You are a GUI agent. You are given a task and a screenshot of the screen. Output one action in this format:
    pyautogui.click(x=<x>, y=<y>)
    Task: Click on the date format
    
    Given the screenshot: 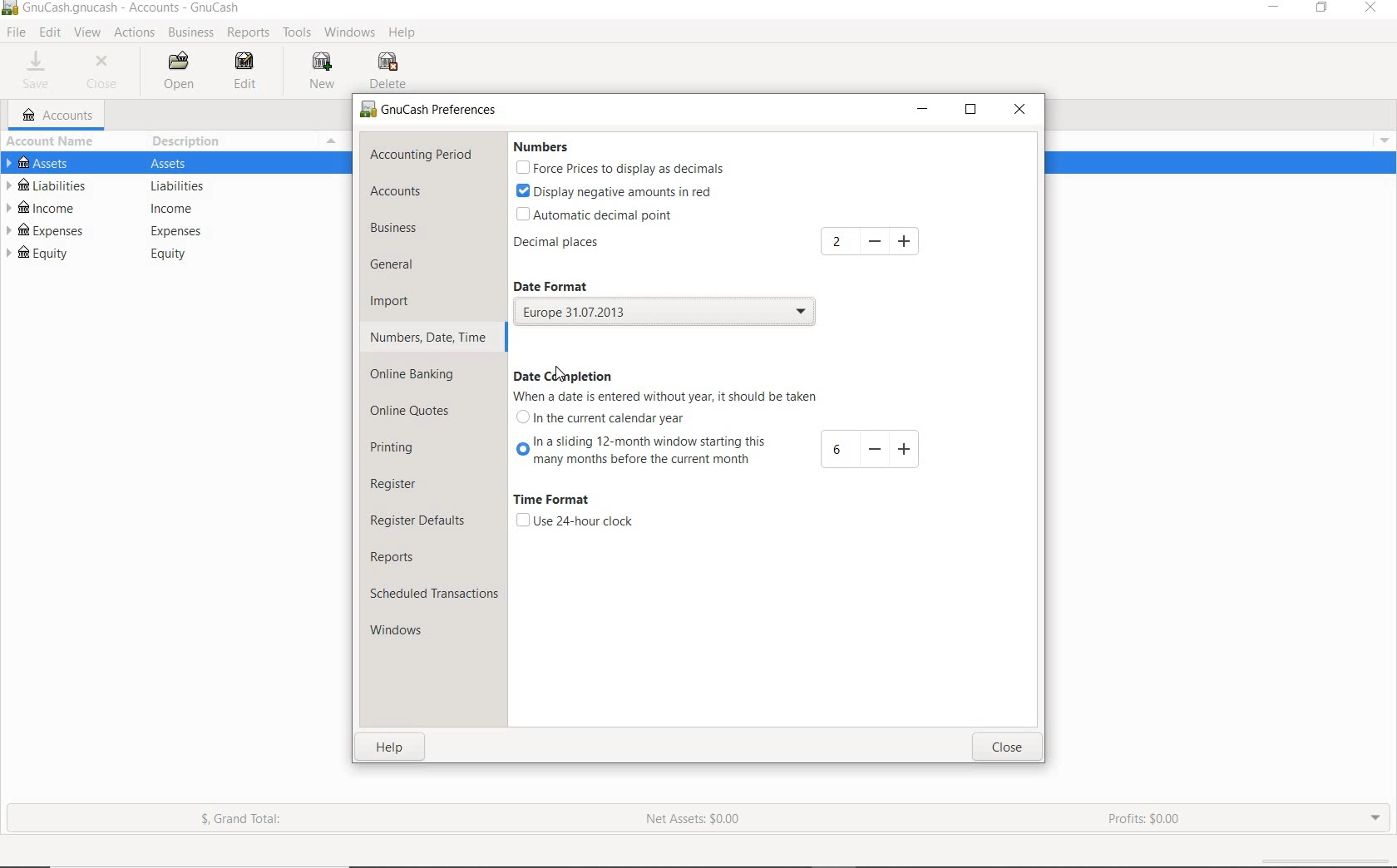 What is the action you would take?
    pyautogui.click(x=564, y=287)
    